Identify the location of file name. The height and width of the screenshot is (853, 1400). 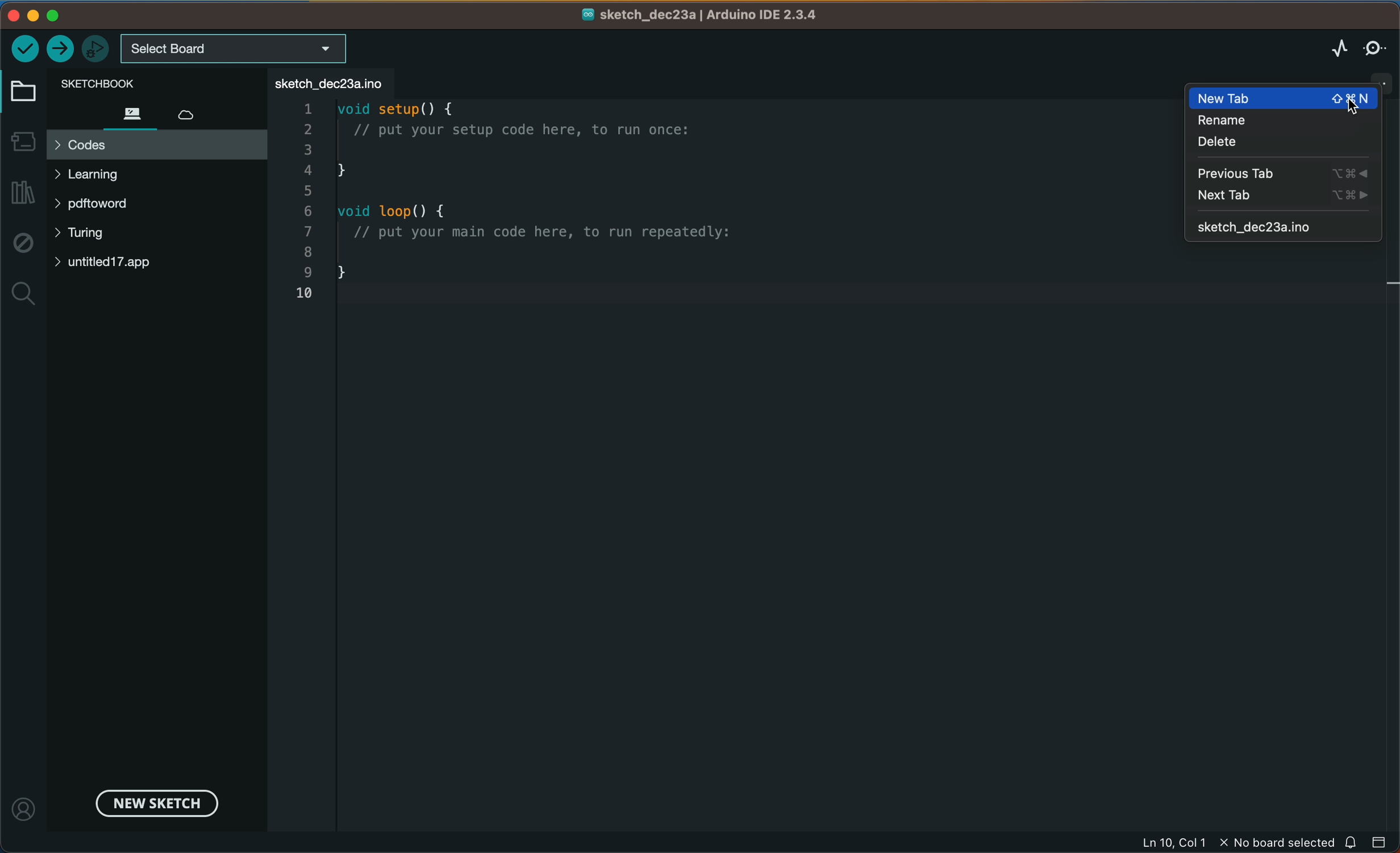
(701, 15).